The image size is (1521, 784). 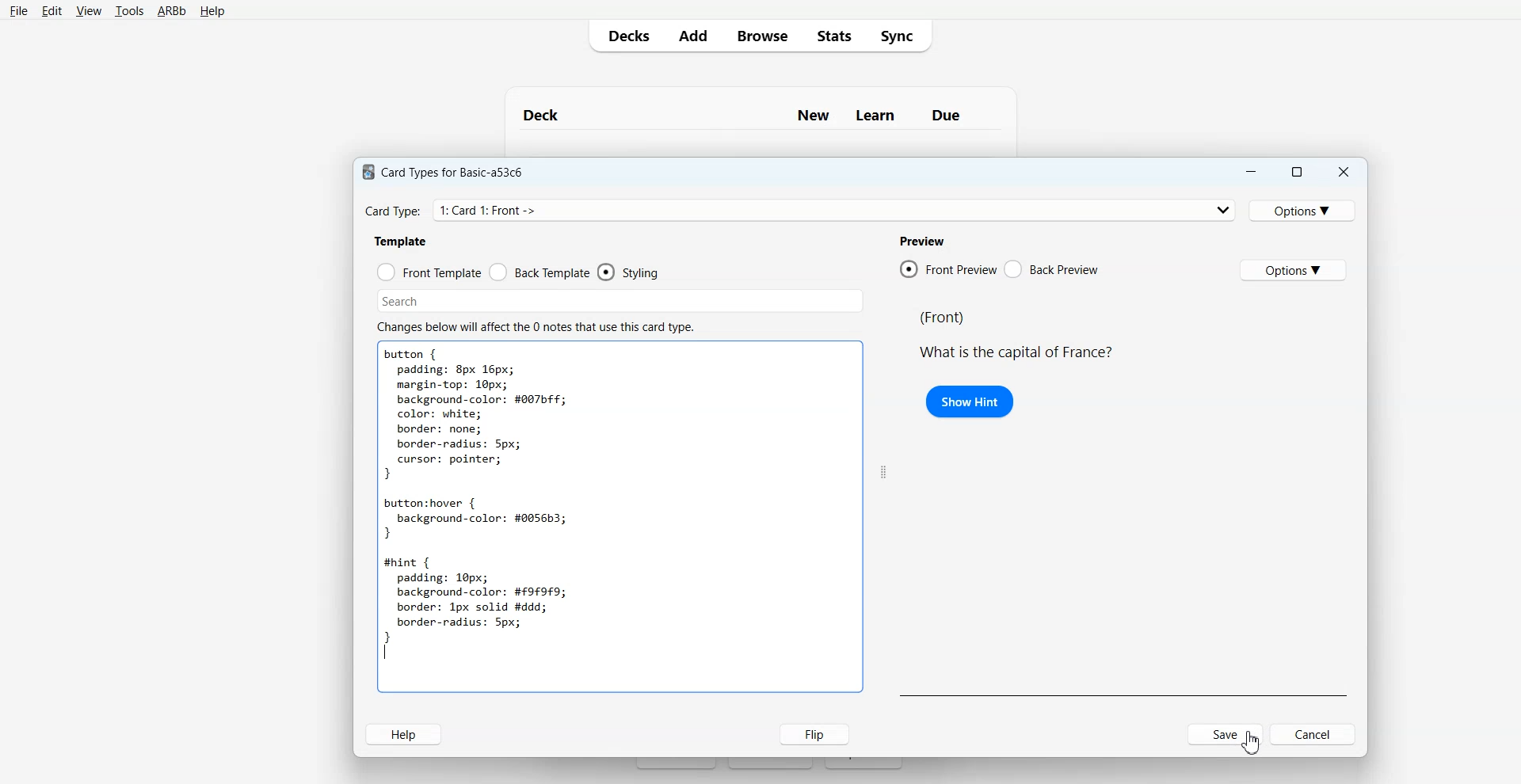 What do you see at coordinates (947, 269) in the screenshot?
I see `Front Preview` at bounding box center [947, 269].